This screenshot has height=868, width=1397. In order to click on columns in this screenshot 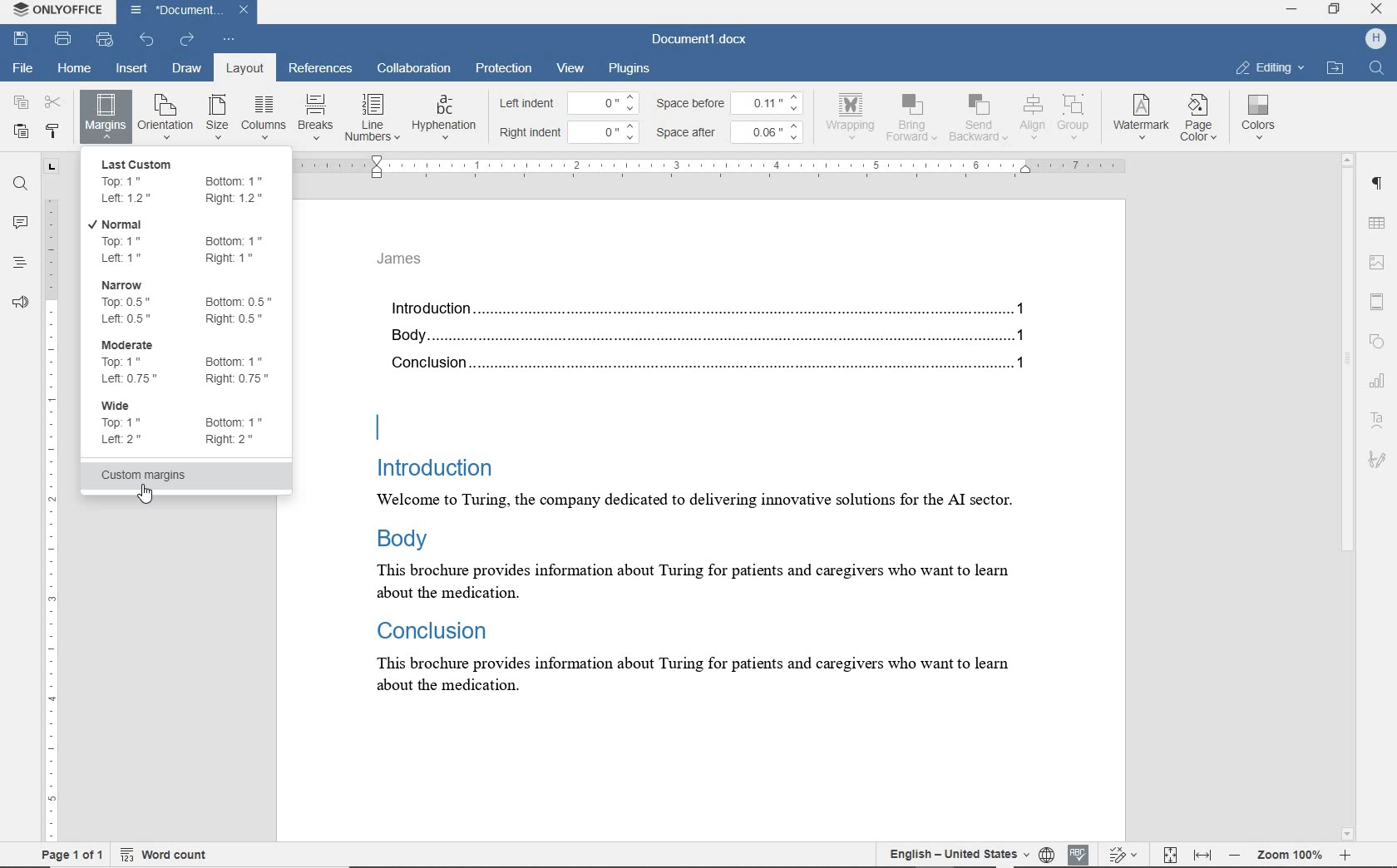, I will do `click(263, 117)`.